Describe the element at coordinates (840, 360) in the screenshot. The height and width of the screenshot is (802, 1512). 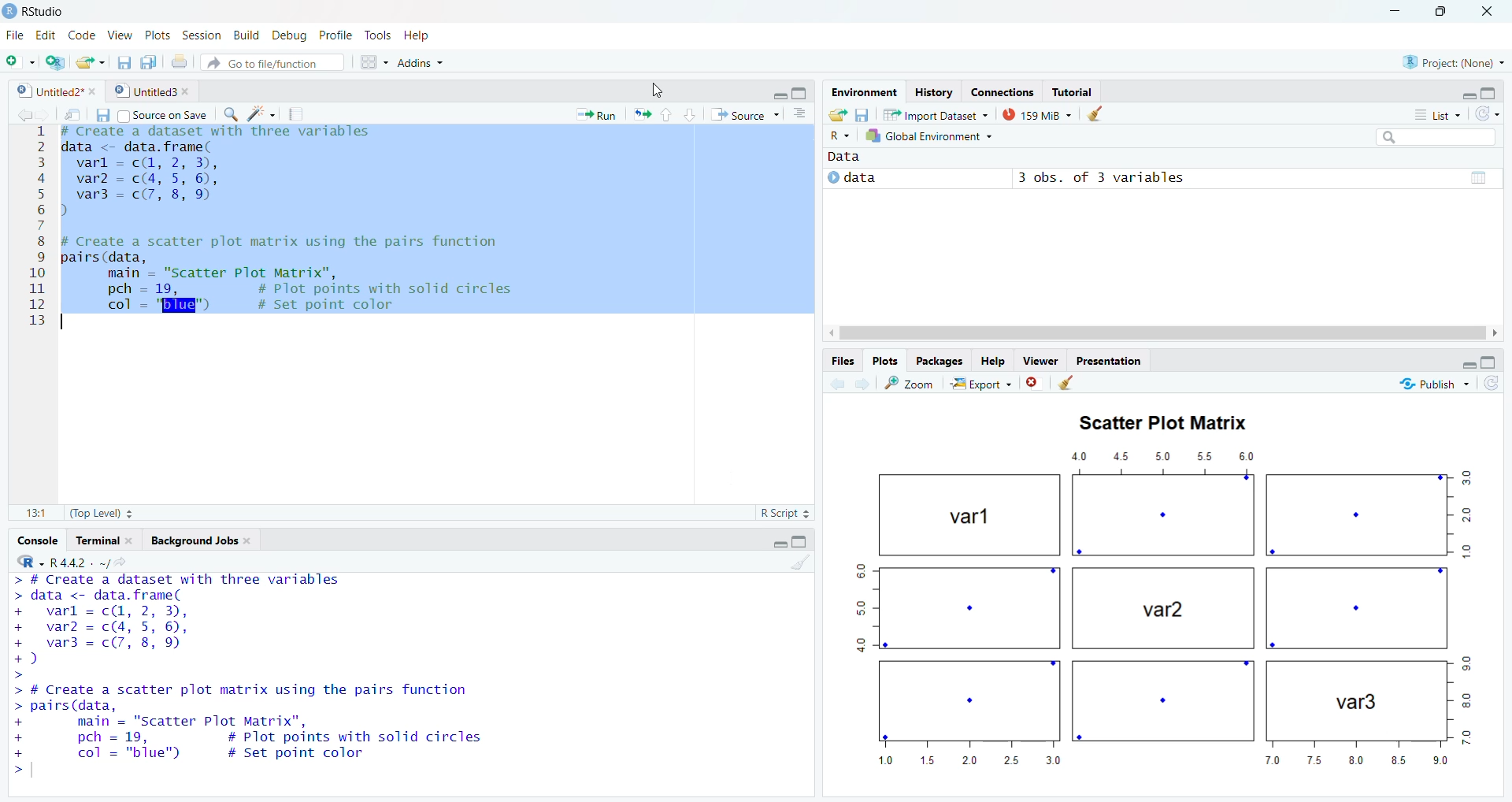
I see `Files` at that location.